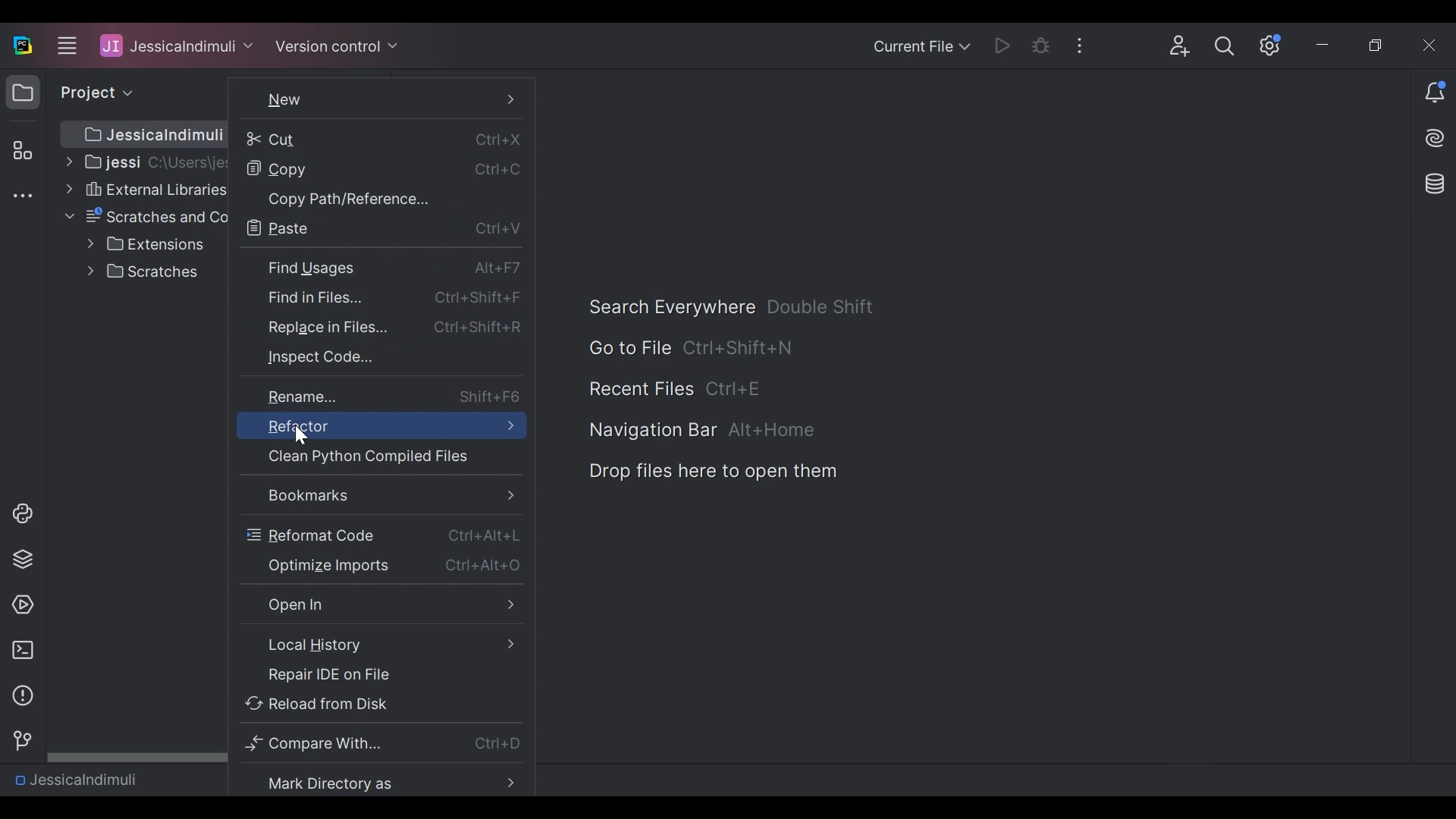  I want to click on More Options, so click(1084, 44).